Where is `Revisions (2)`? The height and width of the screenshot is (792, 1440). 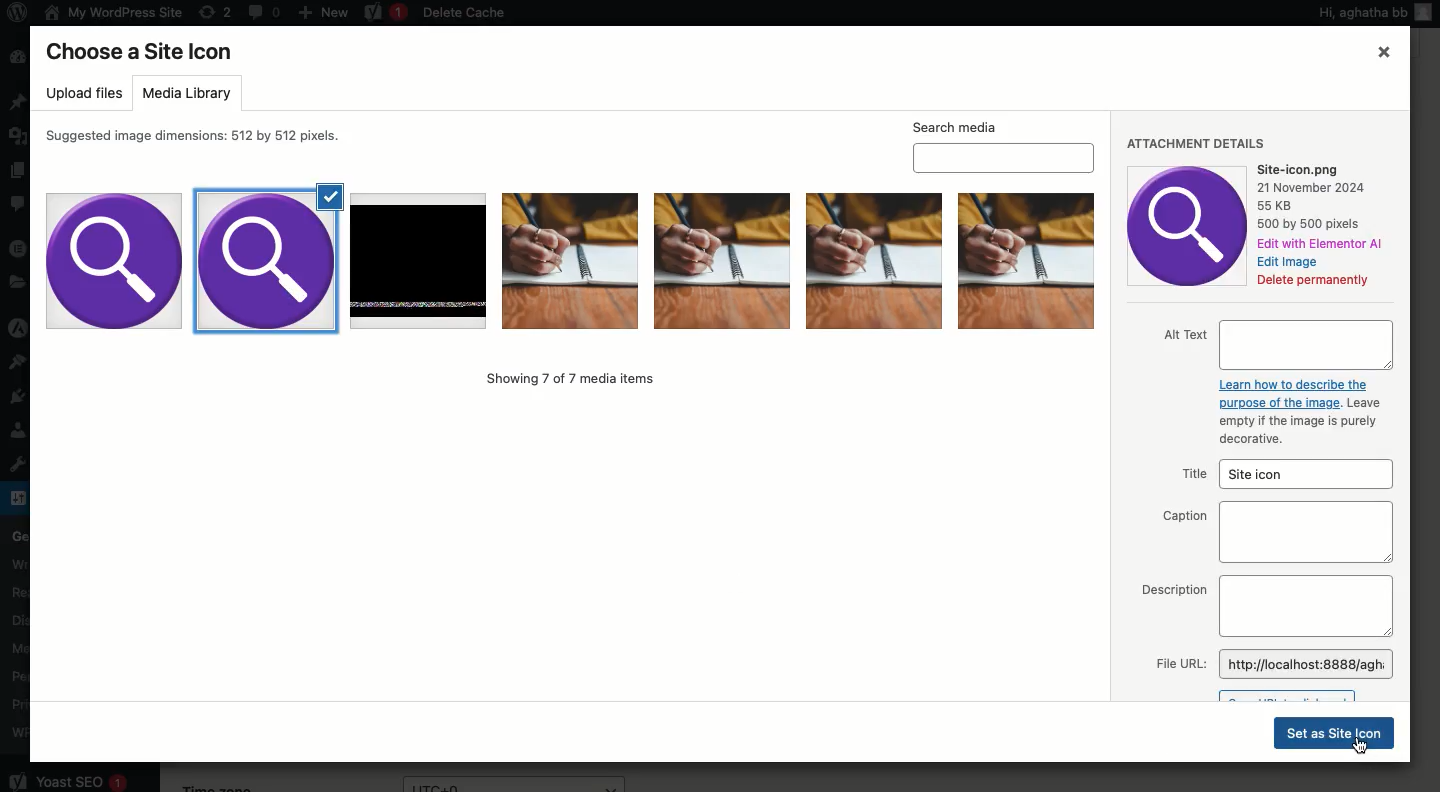
Revisions (2) is located at coordinates (215, 12).